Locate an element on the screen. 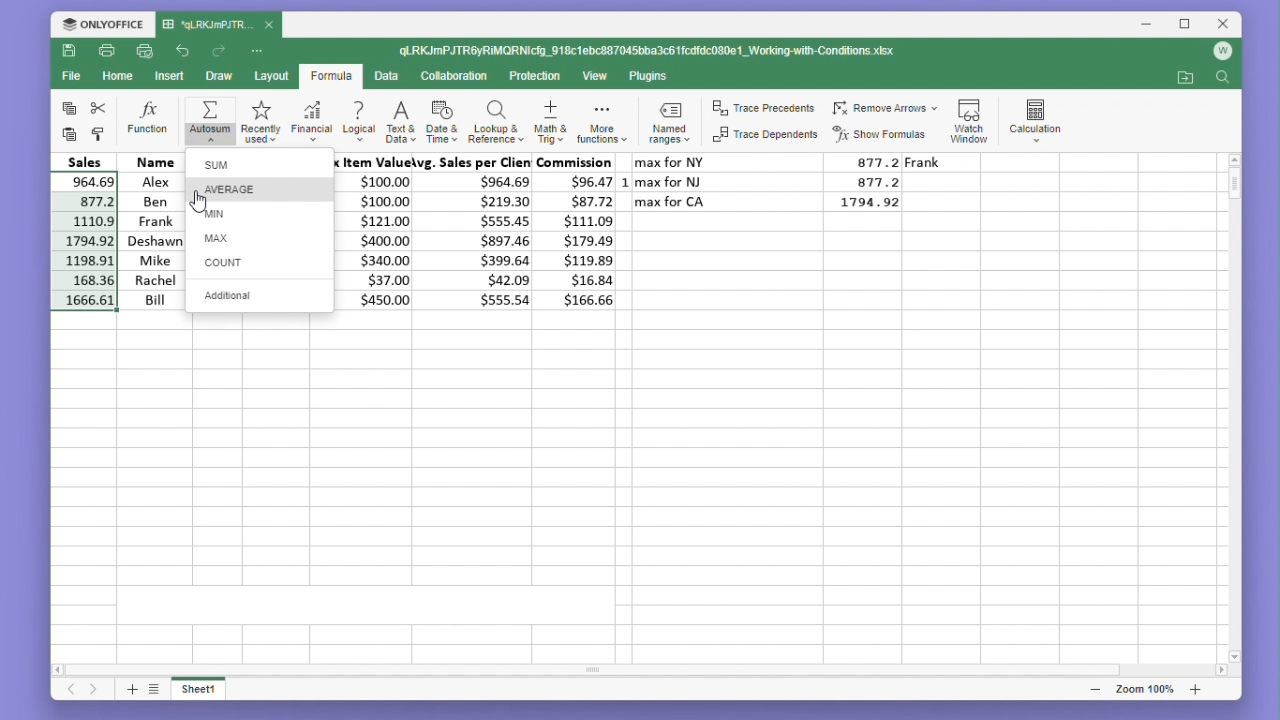  Average is located at coordinates (264, 189).